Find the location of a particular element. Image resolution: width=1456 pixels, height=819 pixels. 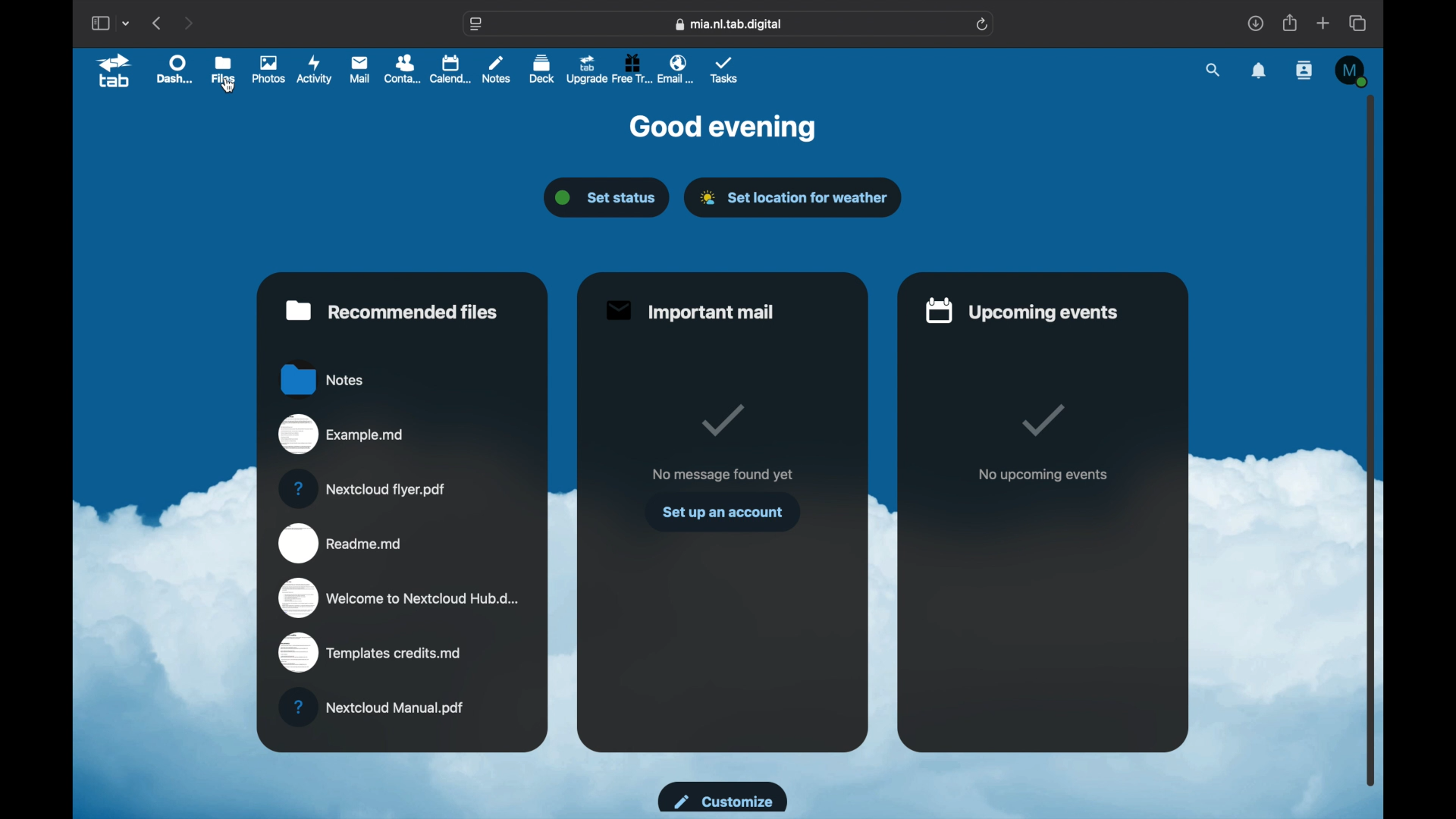

tab group picker is located at coordinates (127, 23).